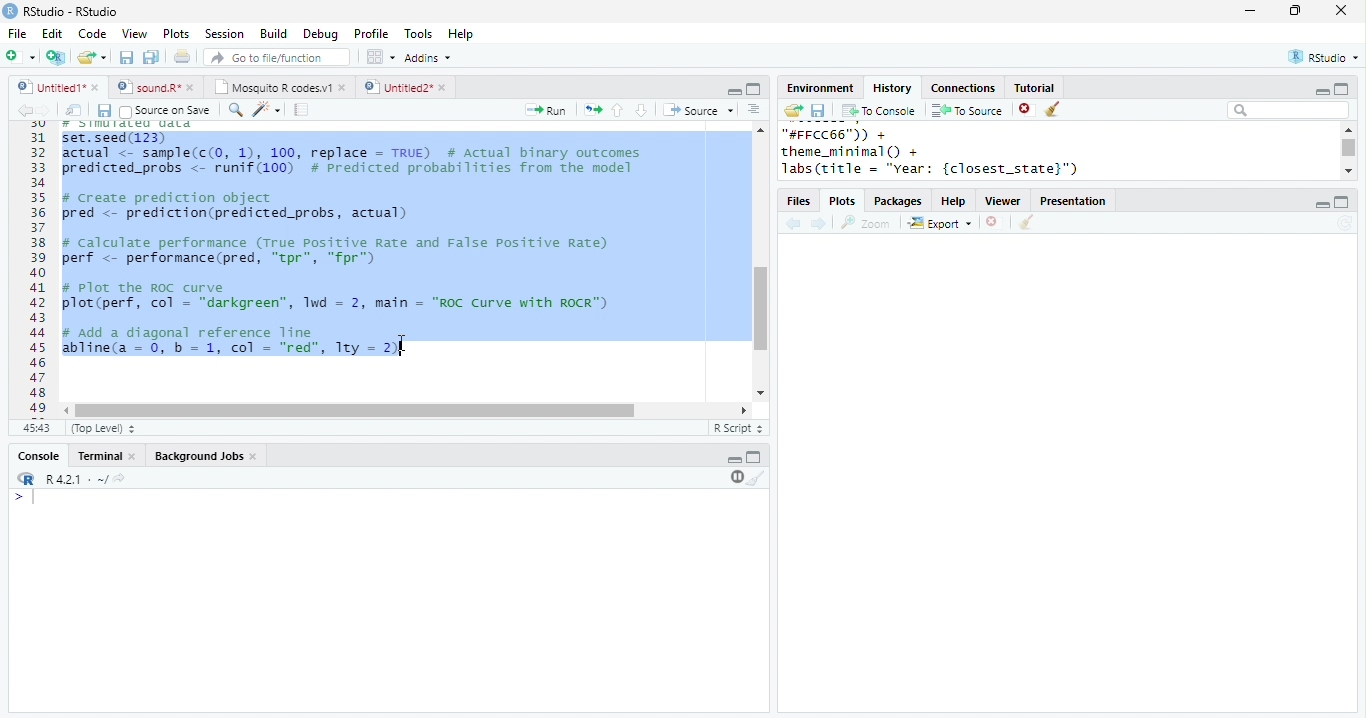 This screenshot has width=1366, height=718. What do you see at coordinates (68, 411) in the screenshot?
I see `scroll left` at bounding box center [68, 411].